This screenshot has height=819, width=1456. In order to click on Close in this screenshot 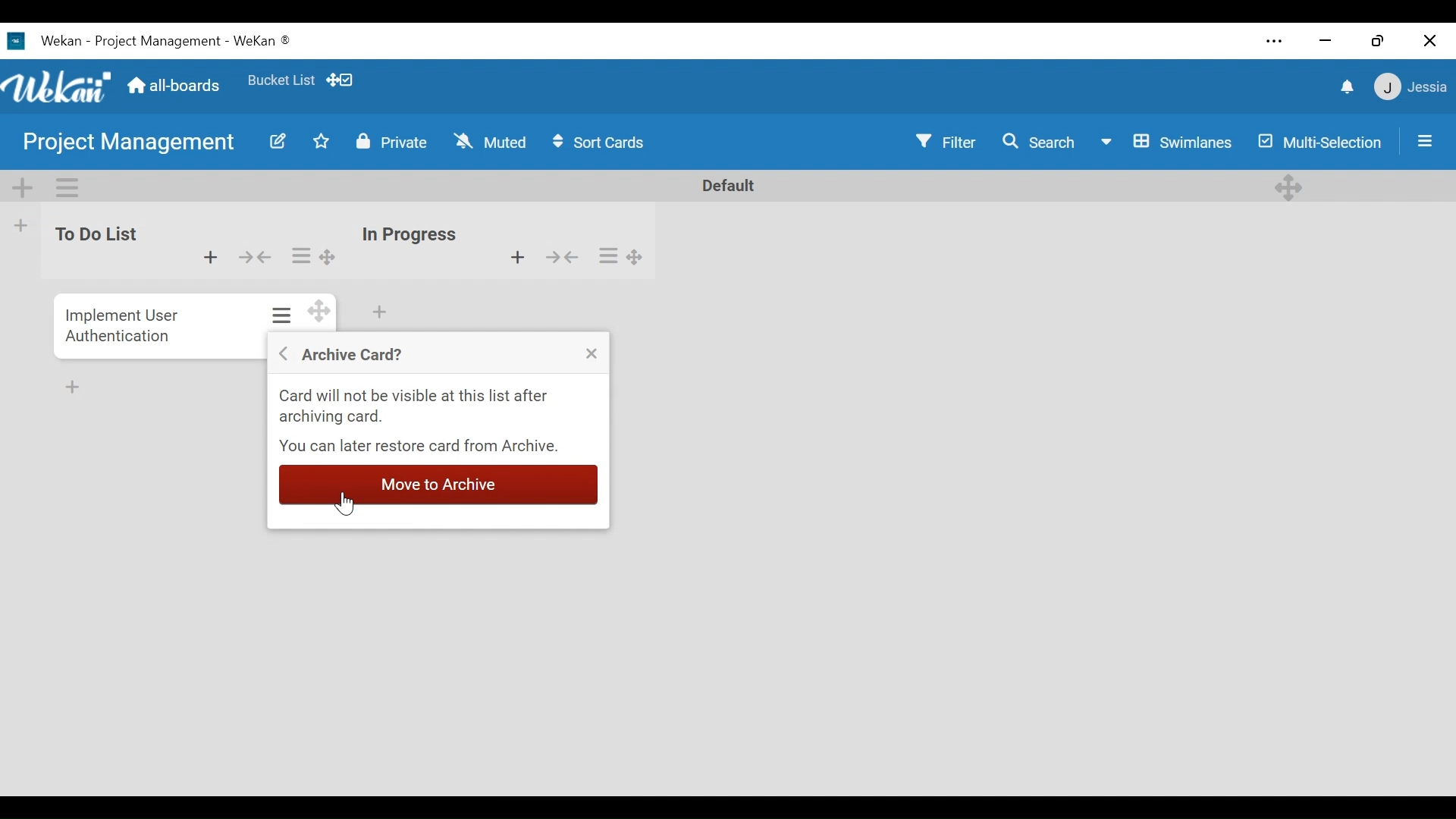, I will do `click(1432, 40)`.